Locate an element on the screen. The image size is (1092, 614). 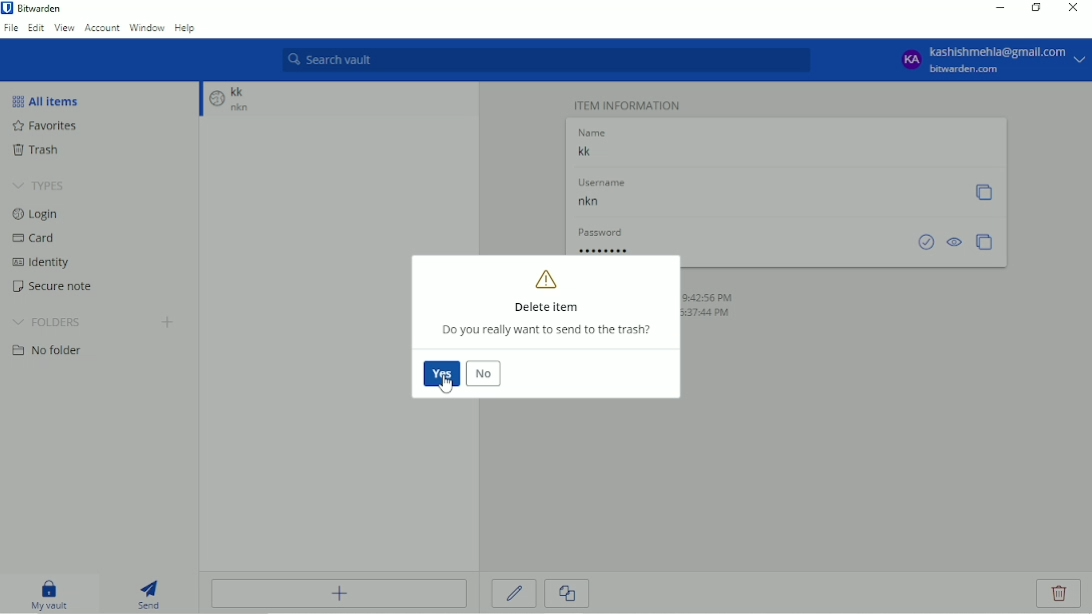
9:42:56PM is located at coordinates (710, 296).